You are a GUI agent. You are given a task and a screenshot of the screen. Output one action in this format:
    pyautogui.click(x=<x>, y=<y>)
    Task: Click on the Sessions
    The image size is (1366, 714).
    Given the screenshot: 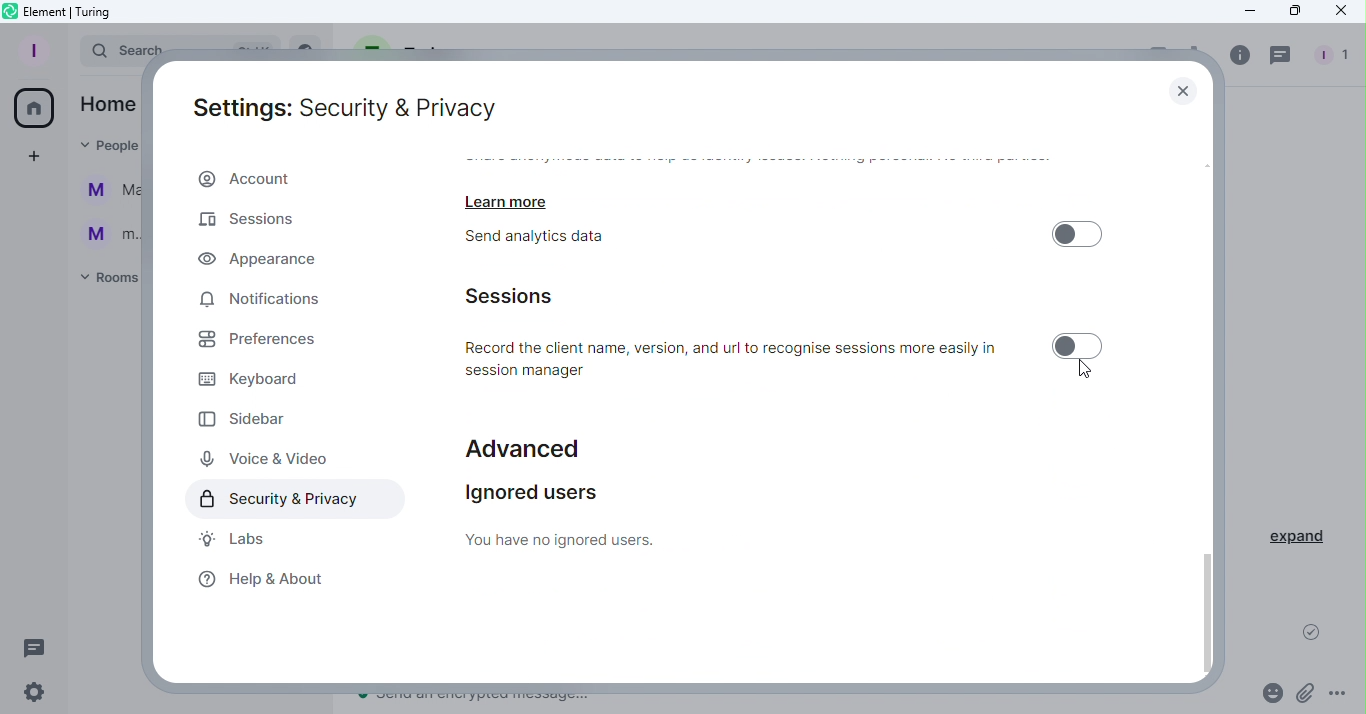 What is the action you would take?
    pyautogui.click(x=250, y=222)
    